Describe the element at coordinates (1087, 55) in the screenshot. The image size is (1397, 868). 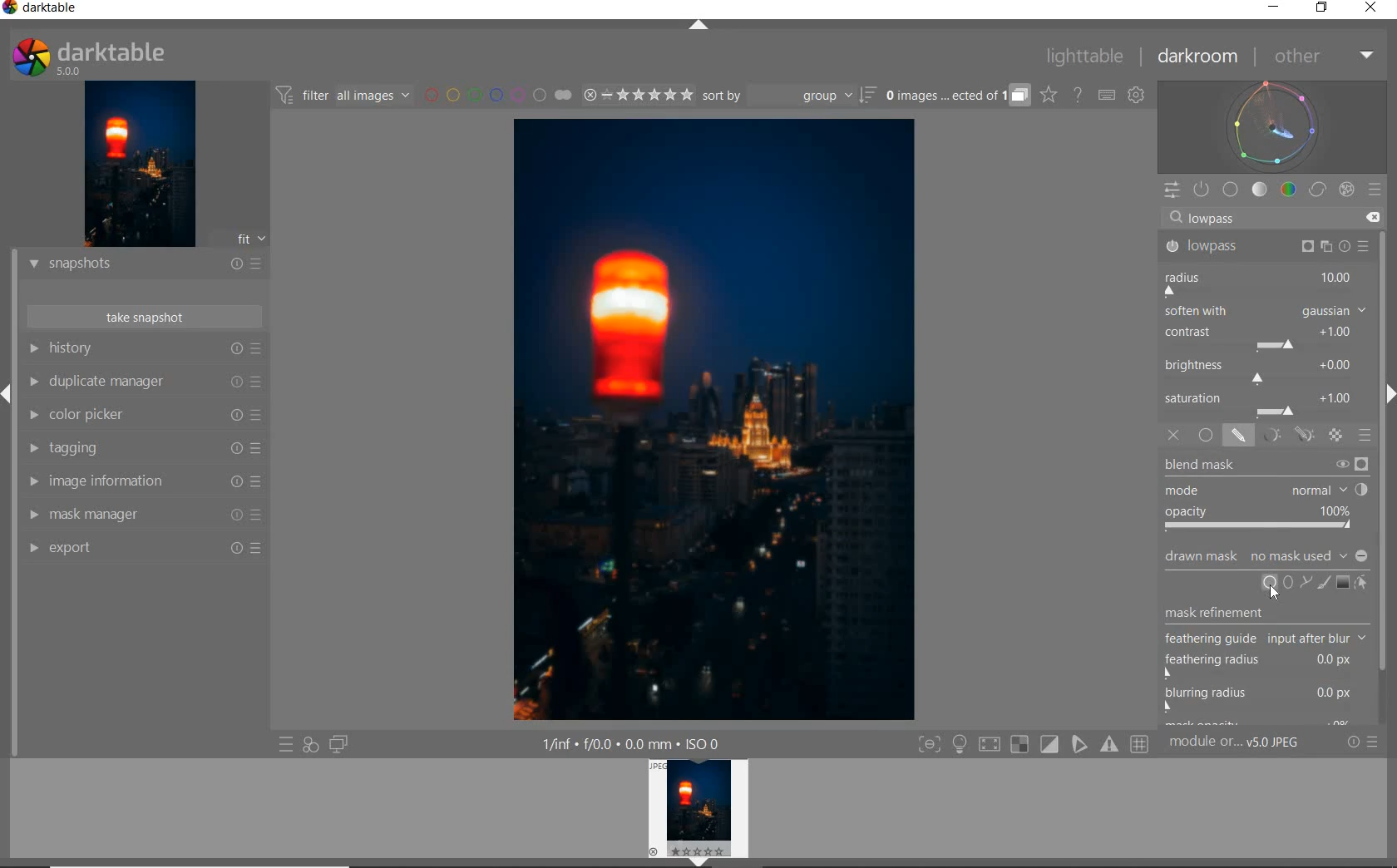
I see `LIGHTTABLE` at that location.